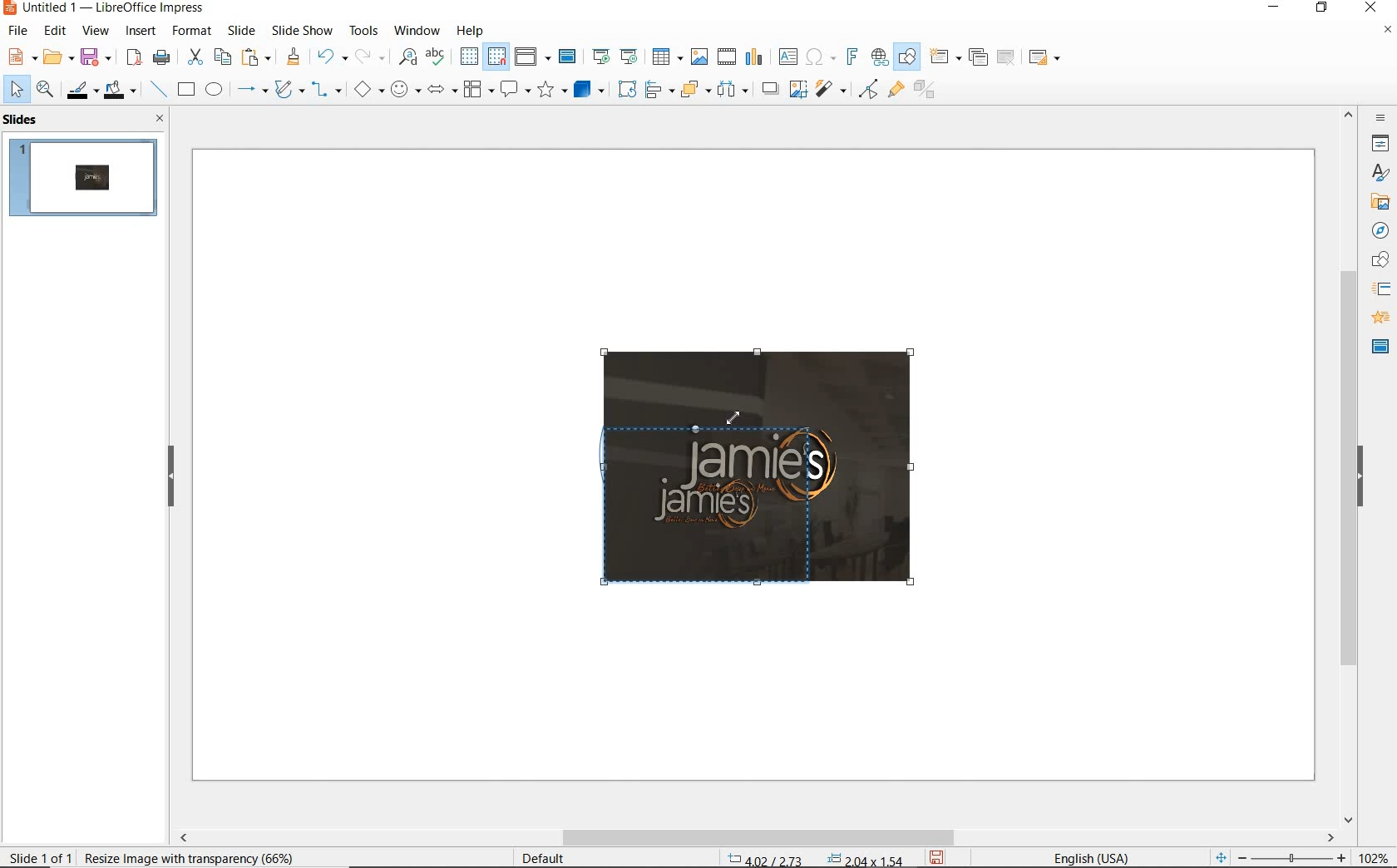 The image size is (1397, 868). What do you see at coordinates (1088, 856) in the screenshot?
I see `Text language` at bounding box center [1088, 856].